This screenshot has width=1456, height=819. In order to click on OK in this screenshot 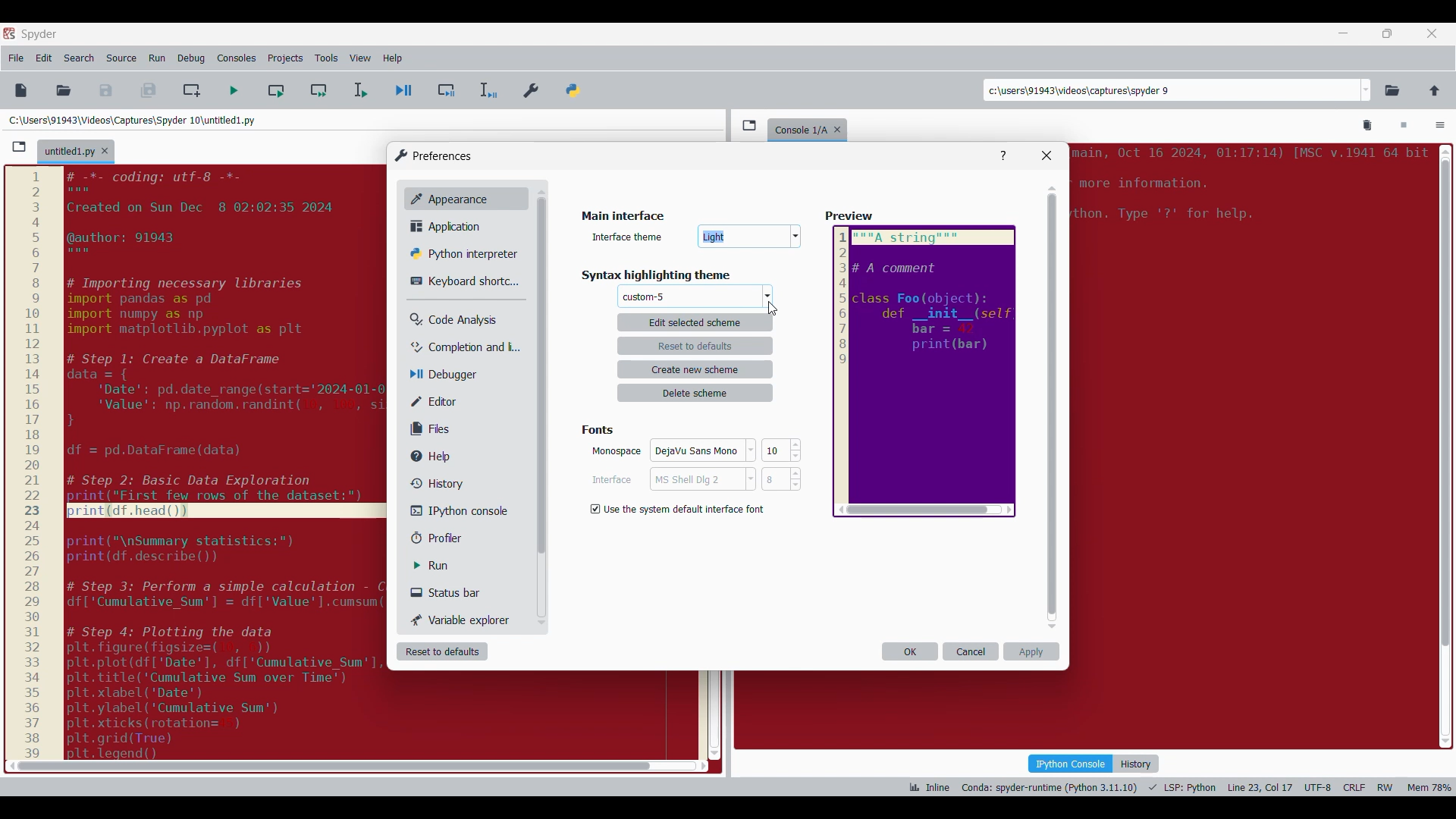, I will do `click(696, 453)`.